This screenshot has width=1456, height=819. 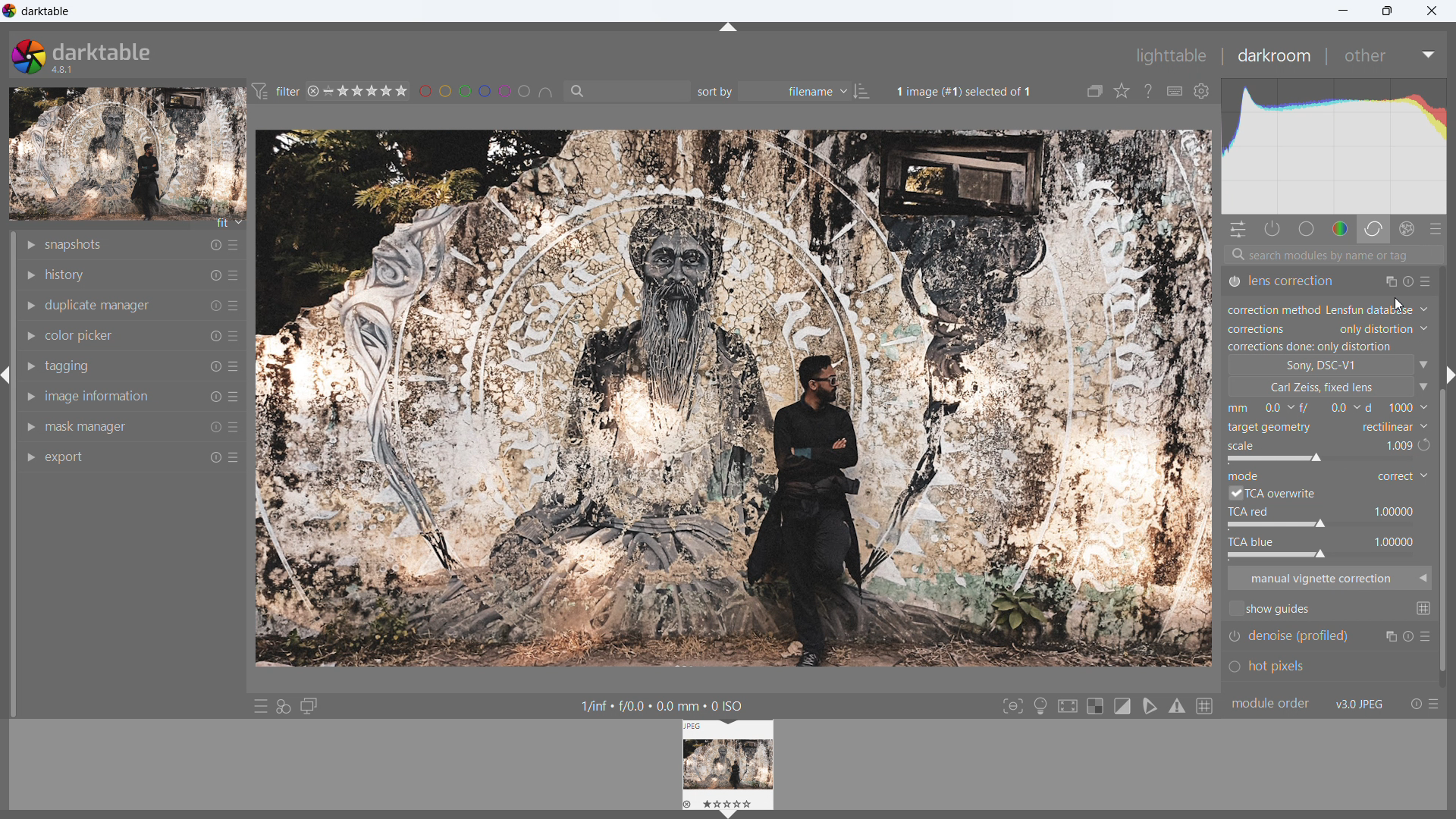 What do you see at coordinates (1396, 306) in the screenshot?
I see `cursor` at bounding box center [1396, 306].